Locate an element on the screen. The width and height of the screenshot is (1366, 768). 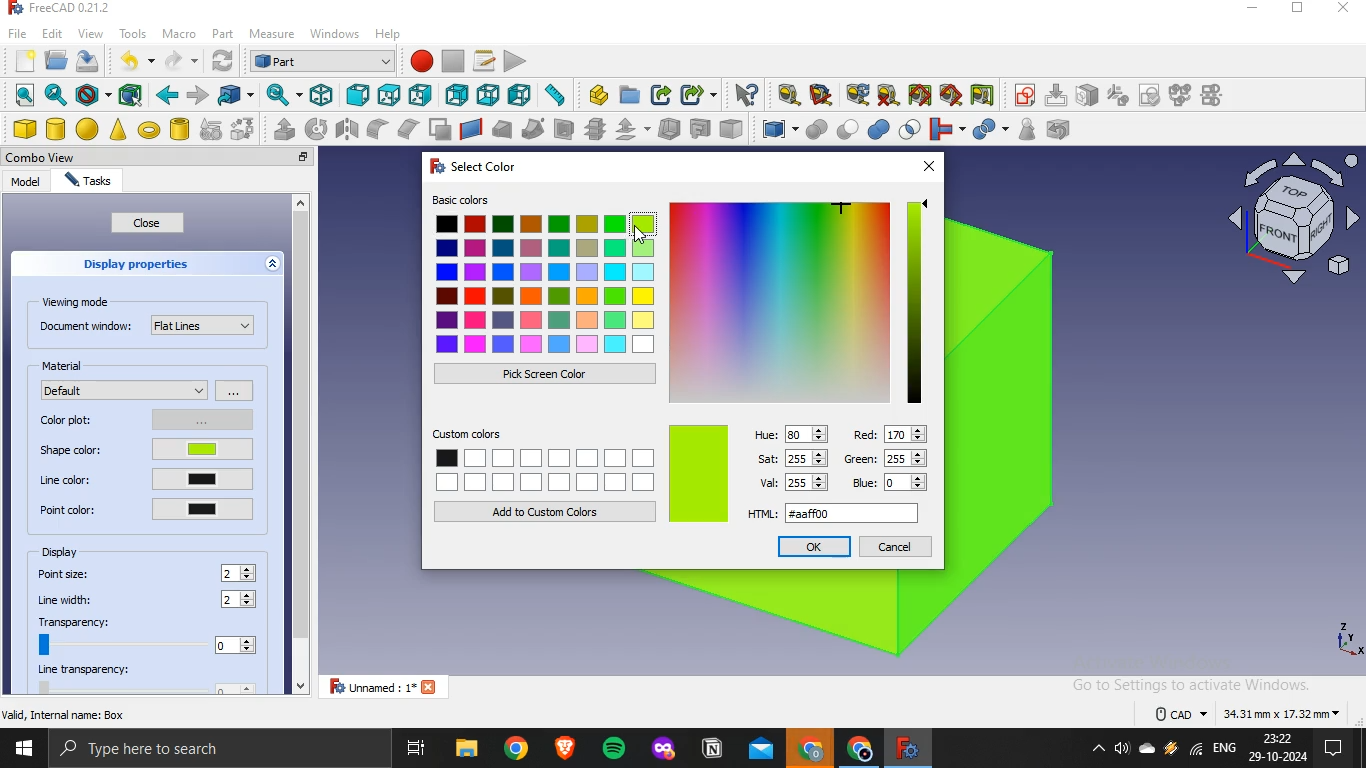
create projection on surface is located at coordinates (699, 128).